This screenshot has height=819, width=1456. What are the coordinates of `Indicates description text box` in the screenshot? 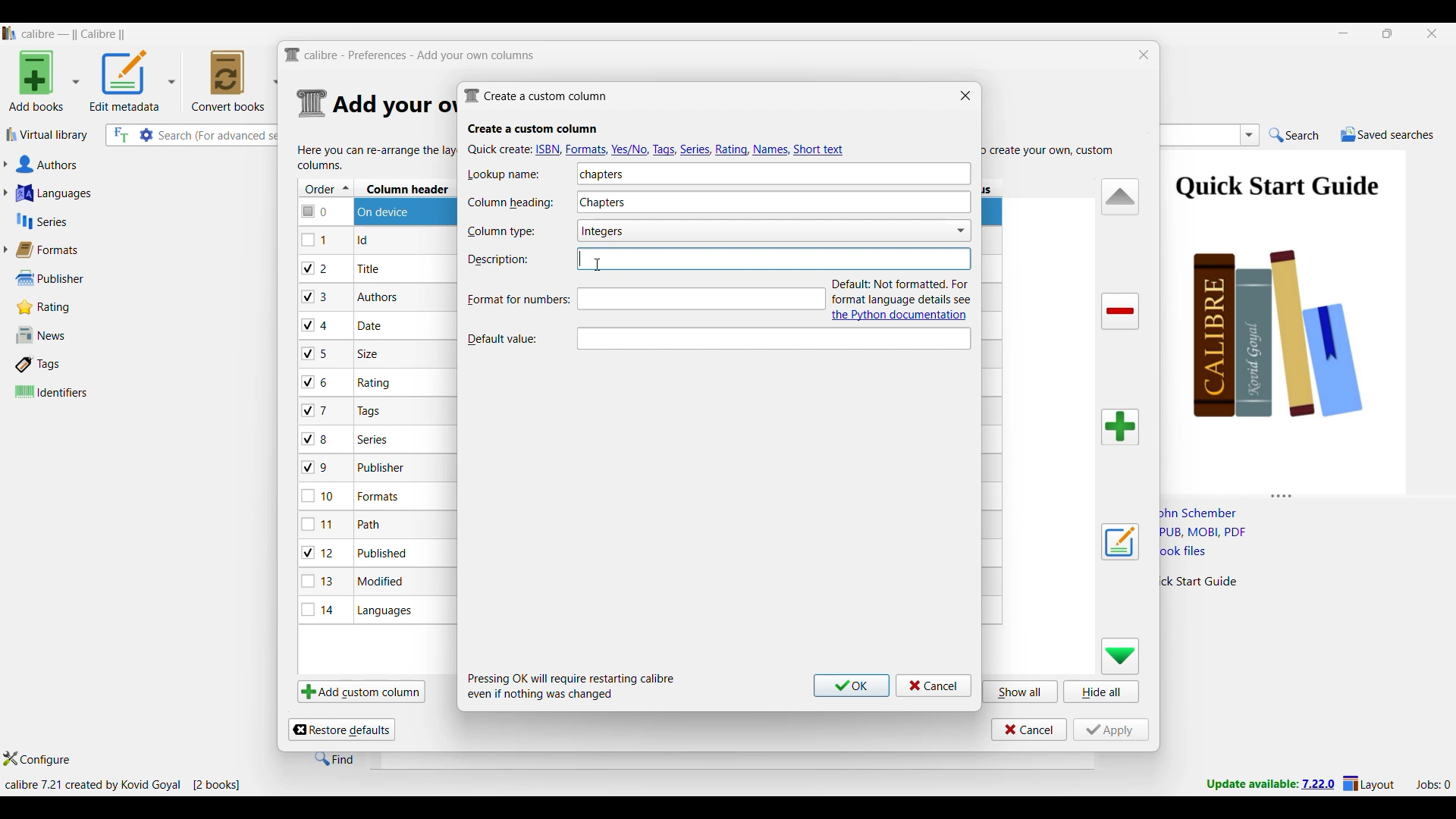 It's located at (498, 259).